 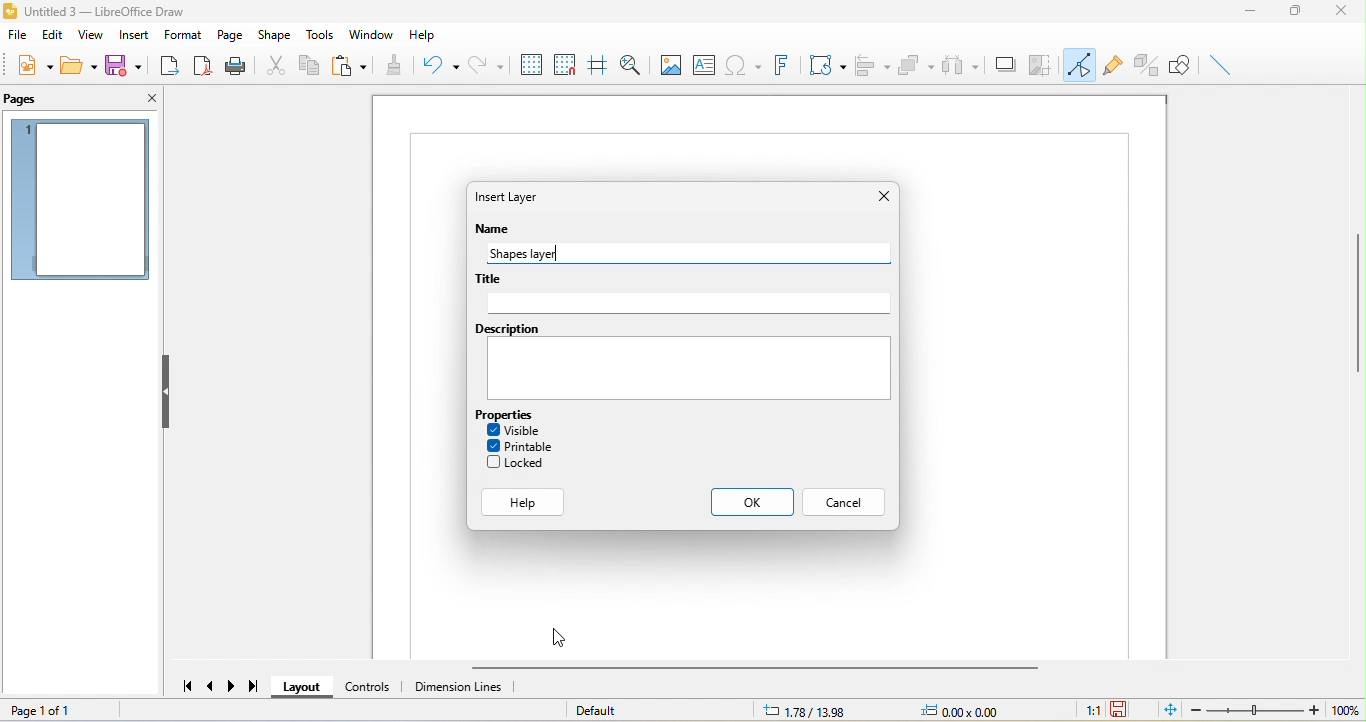 I want to click on format, so click(x=181, y=35).